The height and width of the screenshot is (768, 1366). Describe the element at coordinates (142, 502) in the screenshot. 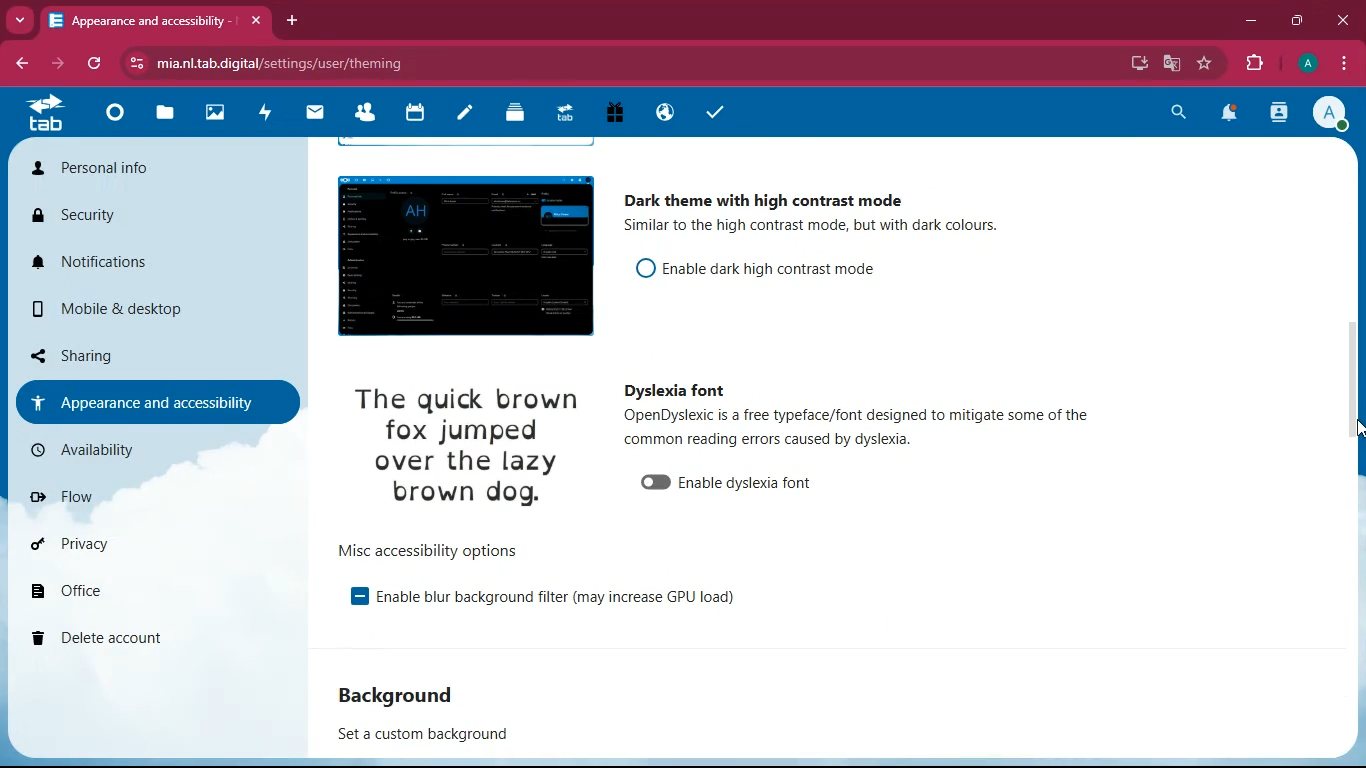

I see `flow` at that location.